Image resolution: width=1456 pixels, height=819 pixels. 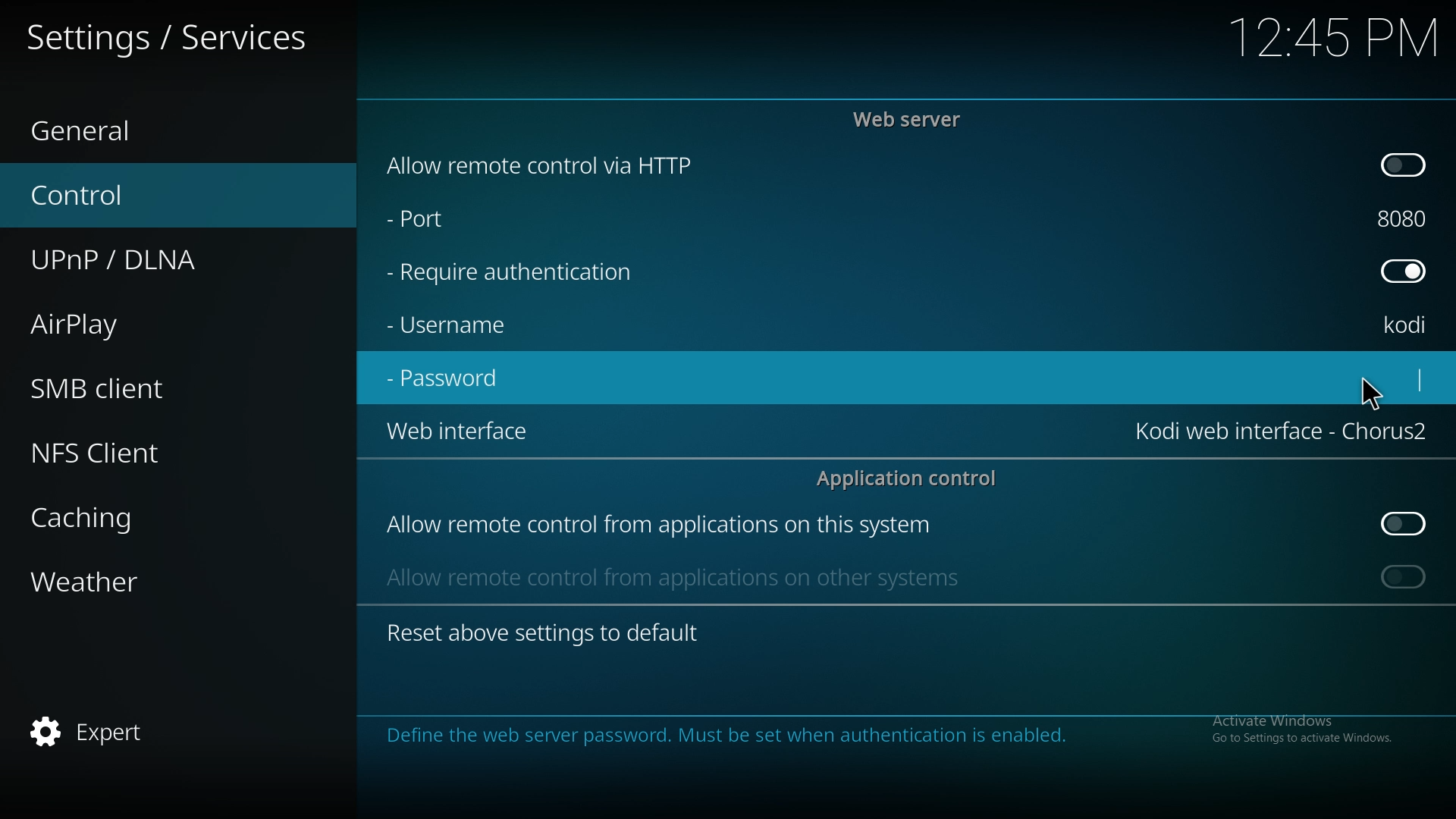 I want to click on time, so click(x=1331, y=37).